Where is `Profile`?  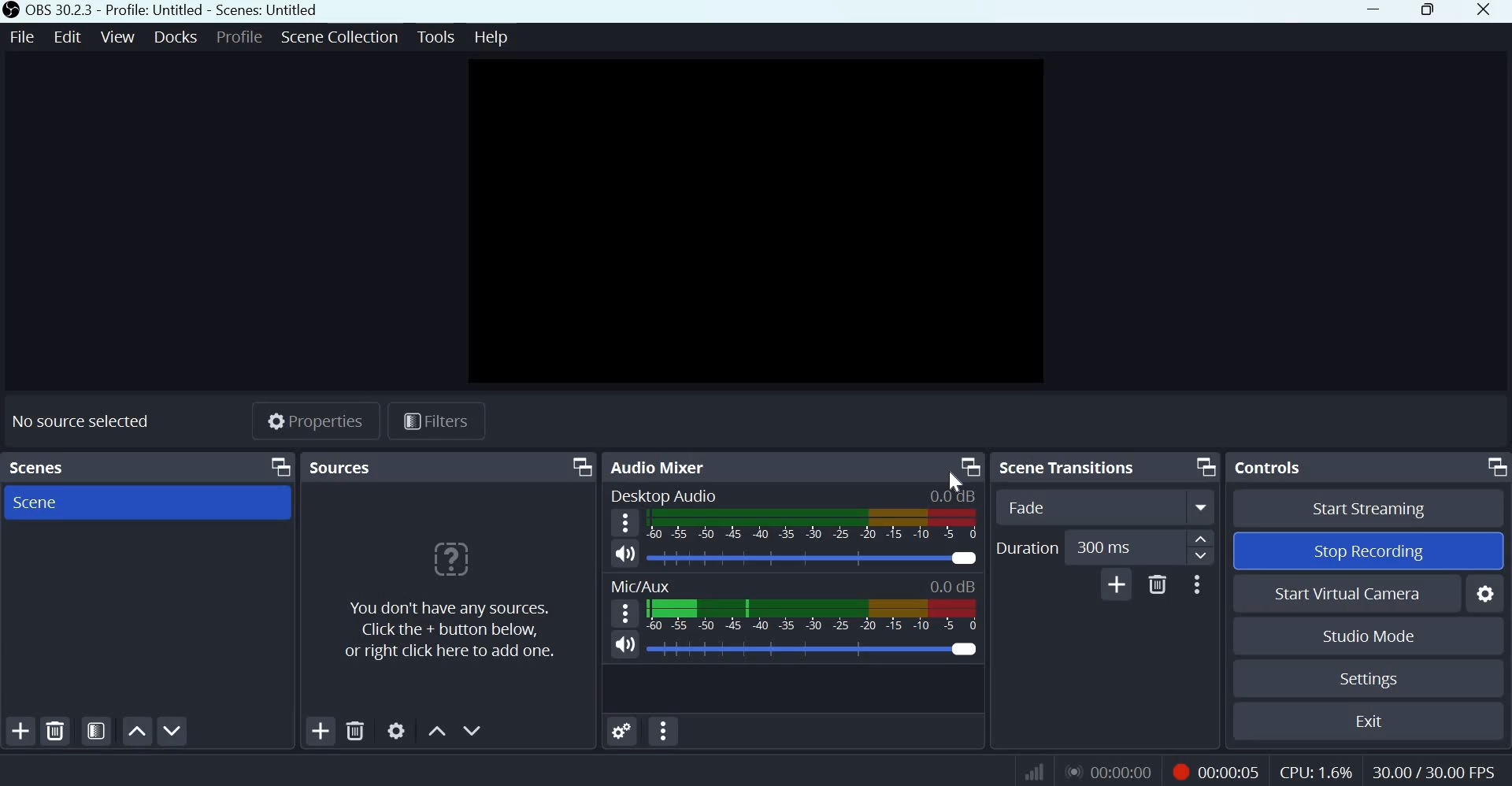
Profile is located at coordinates (238, 39).